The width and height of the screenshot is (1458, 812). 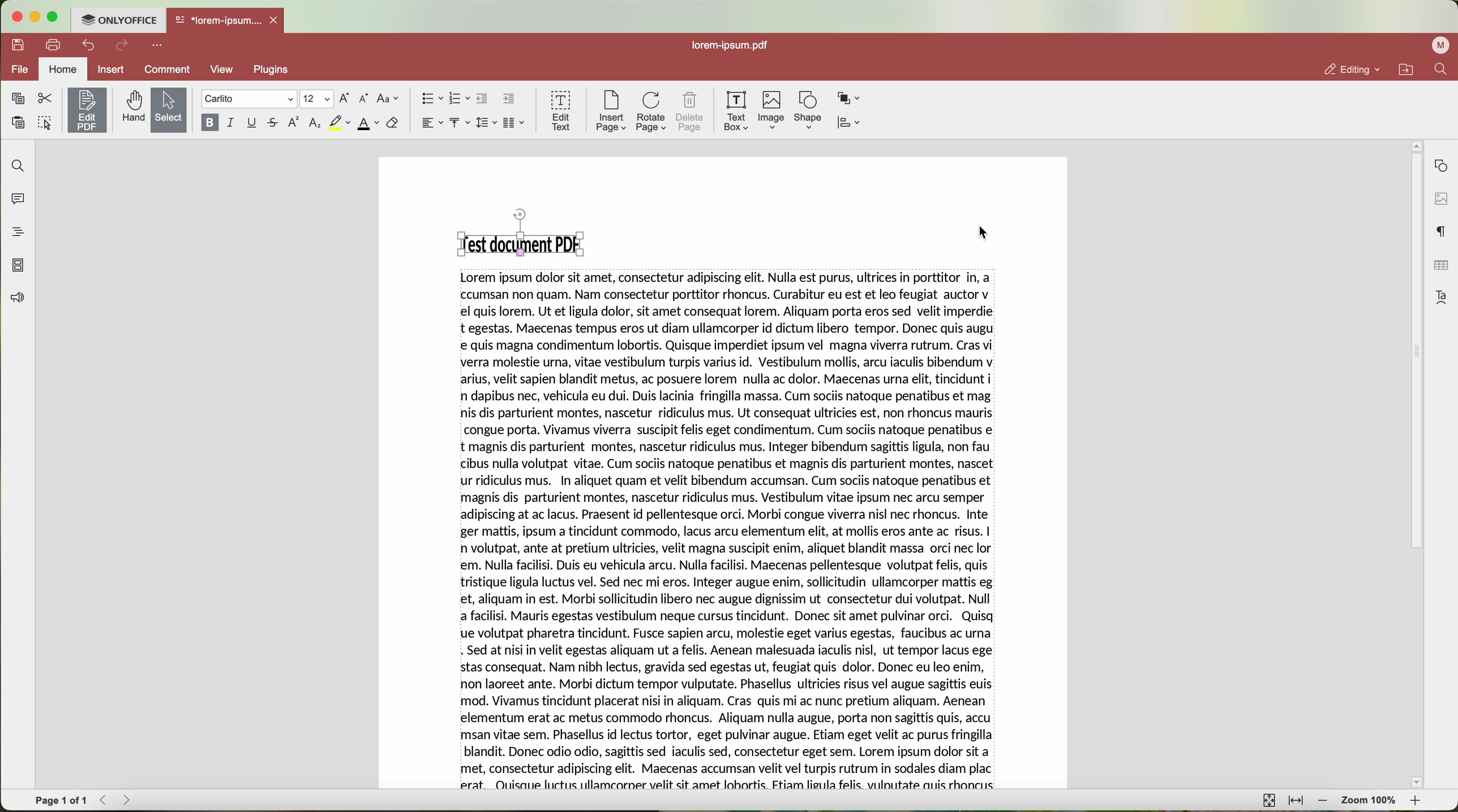 What do you see at coordinates (18, 122) in the screenshot?
I see `paste` at bounding box center [18, 122].